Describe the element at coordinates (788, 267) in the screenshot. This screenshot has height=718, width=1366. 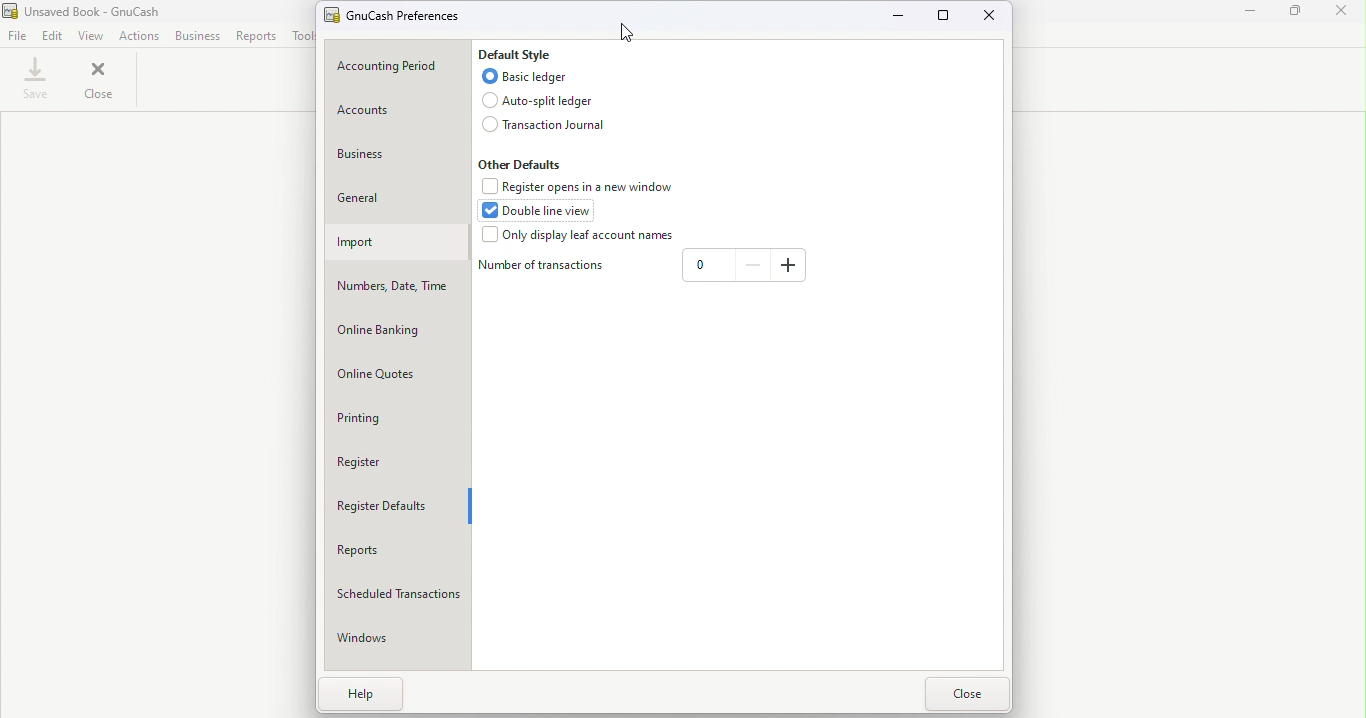
I see `Increase` at that location.